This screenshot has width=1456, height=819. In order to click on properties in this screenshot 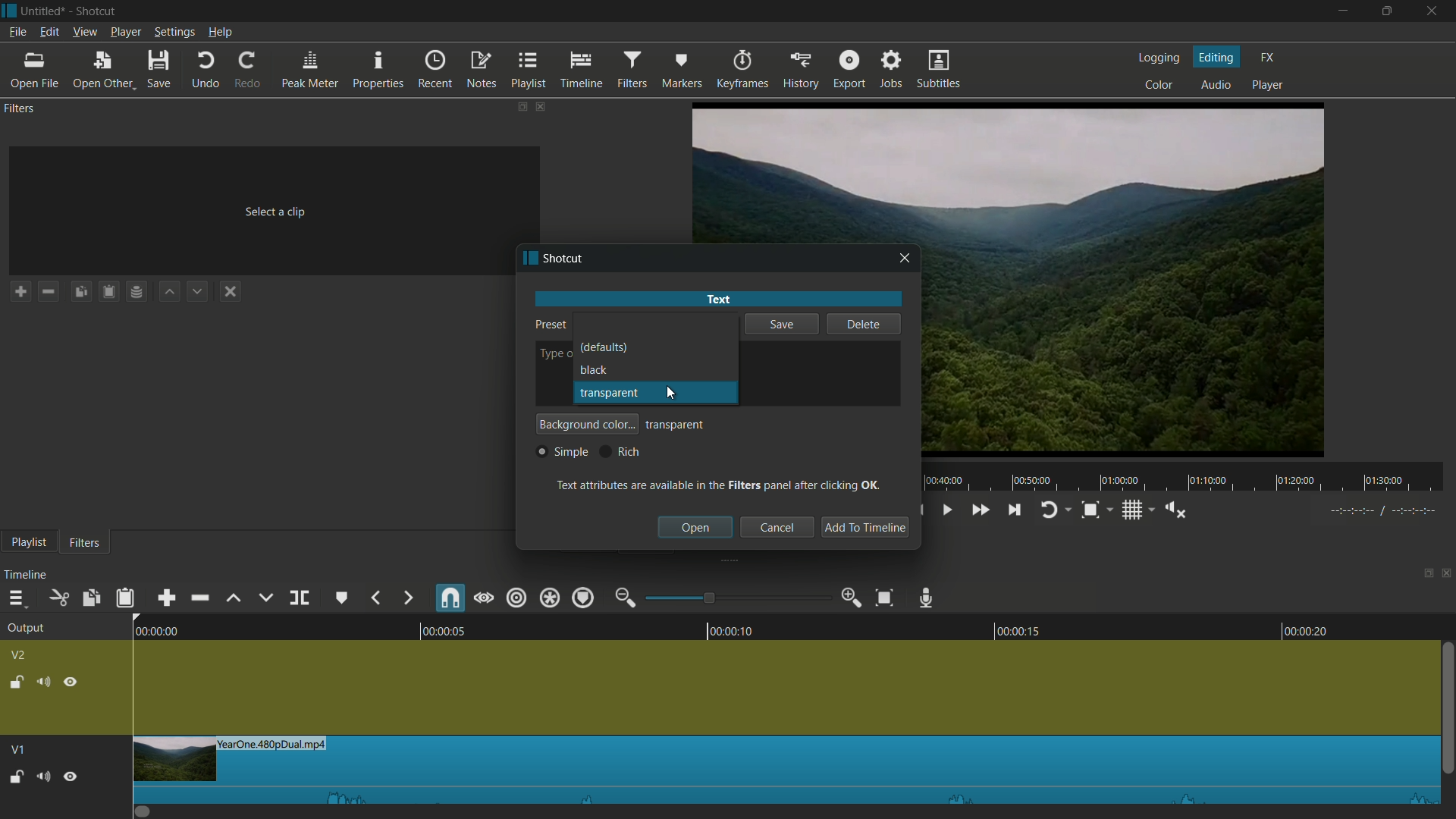, I will do `click(380, 71)`.